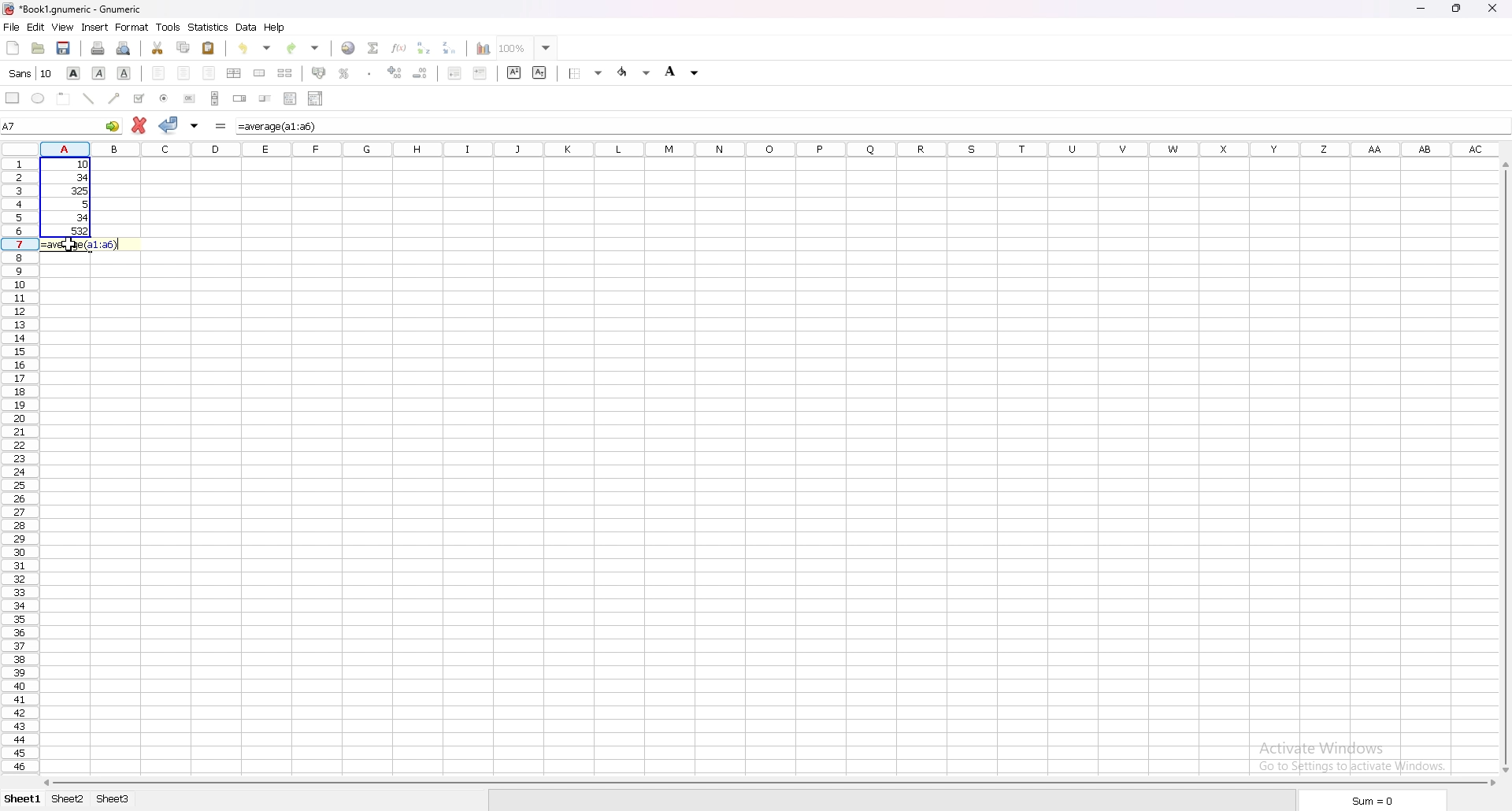  Describe the element at coordinates (14, 47) in the screenshot. I see `new` at that location.